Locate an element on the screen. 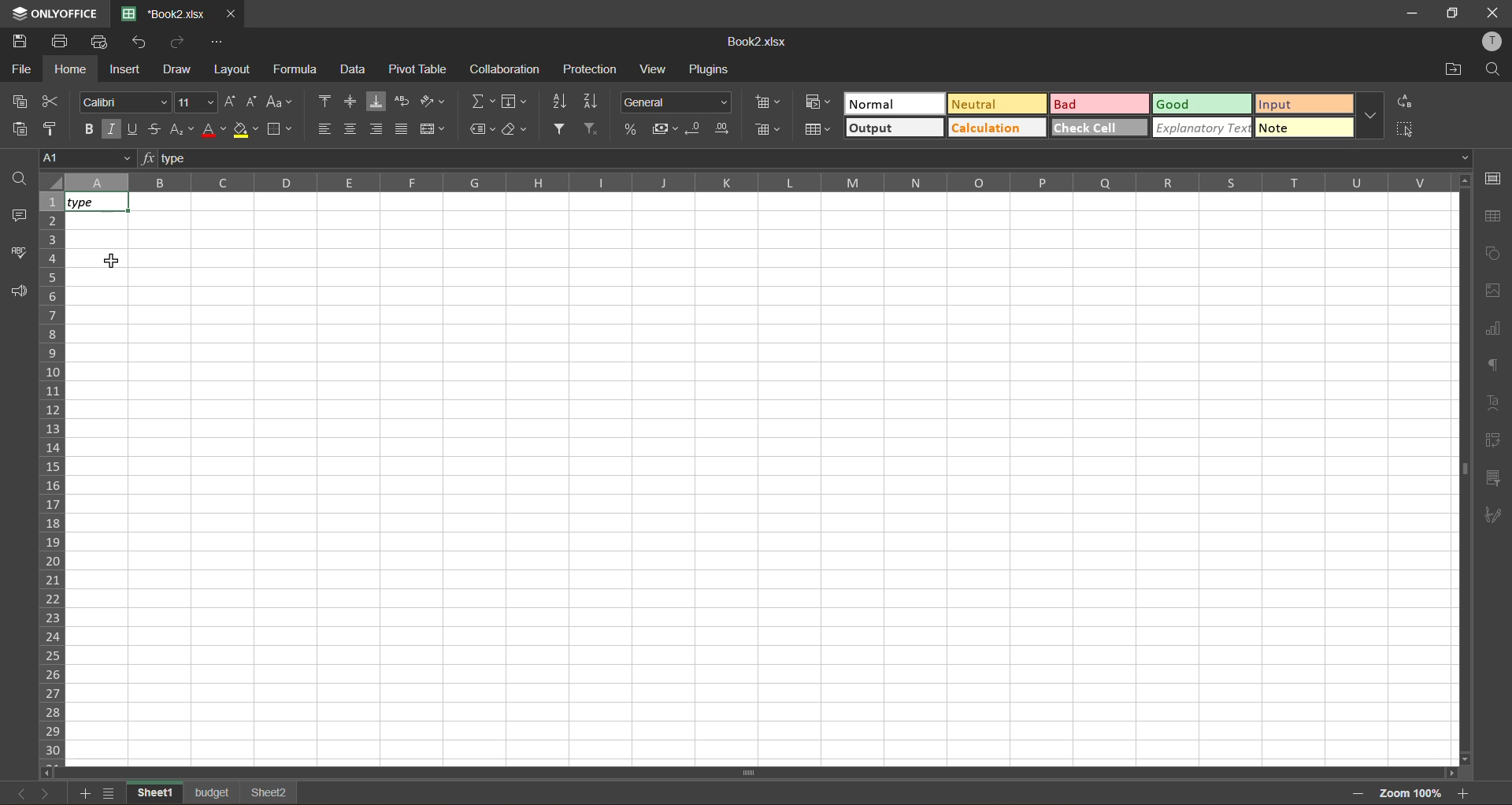 The image size is (1512, 805). column names is located at coordinates (759, 182).